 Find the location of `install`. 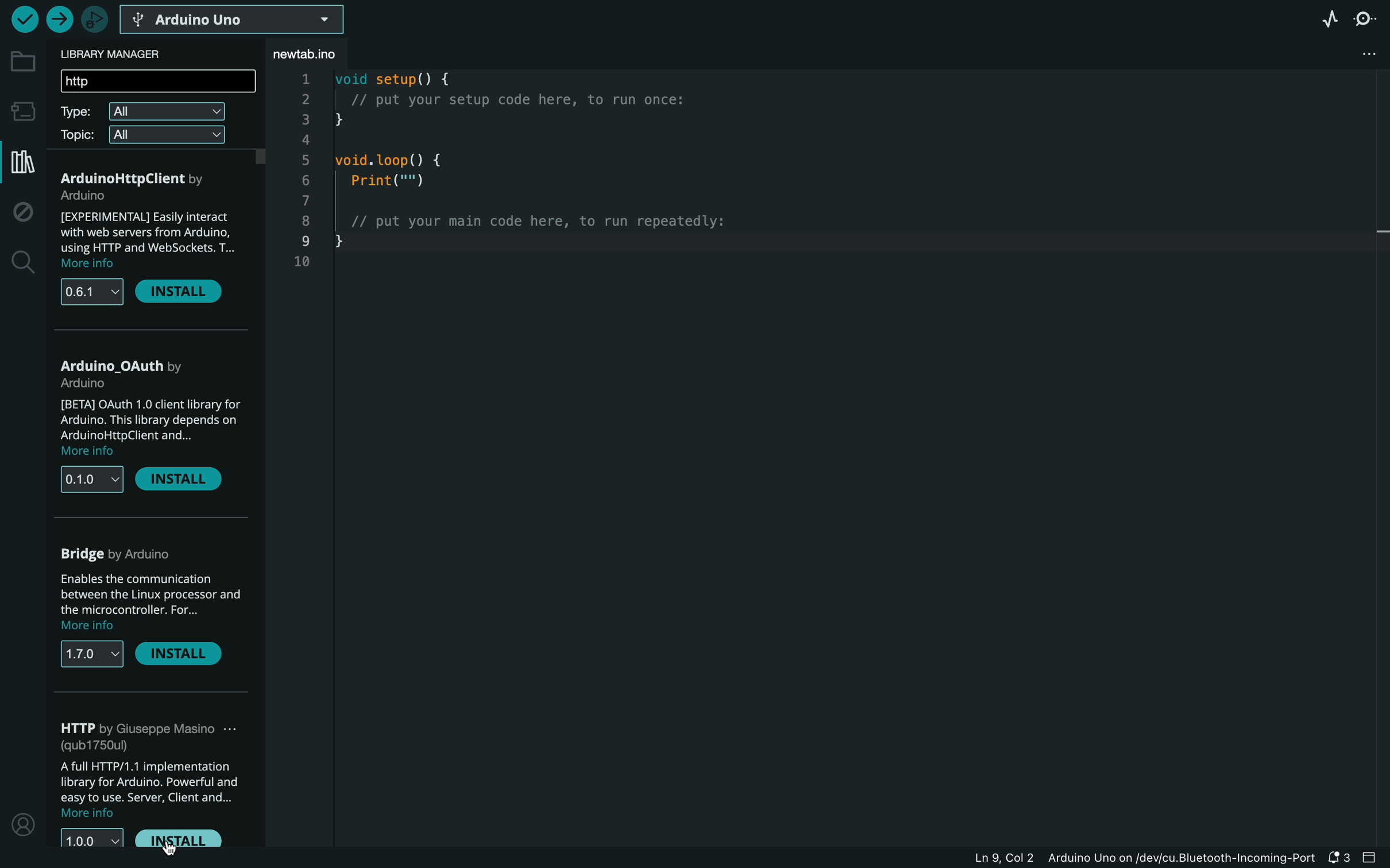

install is located at coordinates (184, 658).